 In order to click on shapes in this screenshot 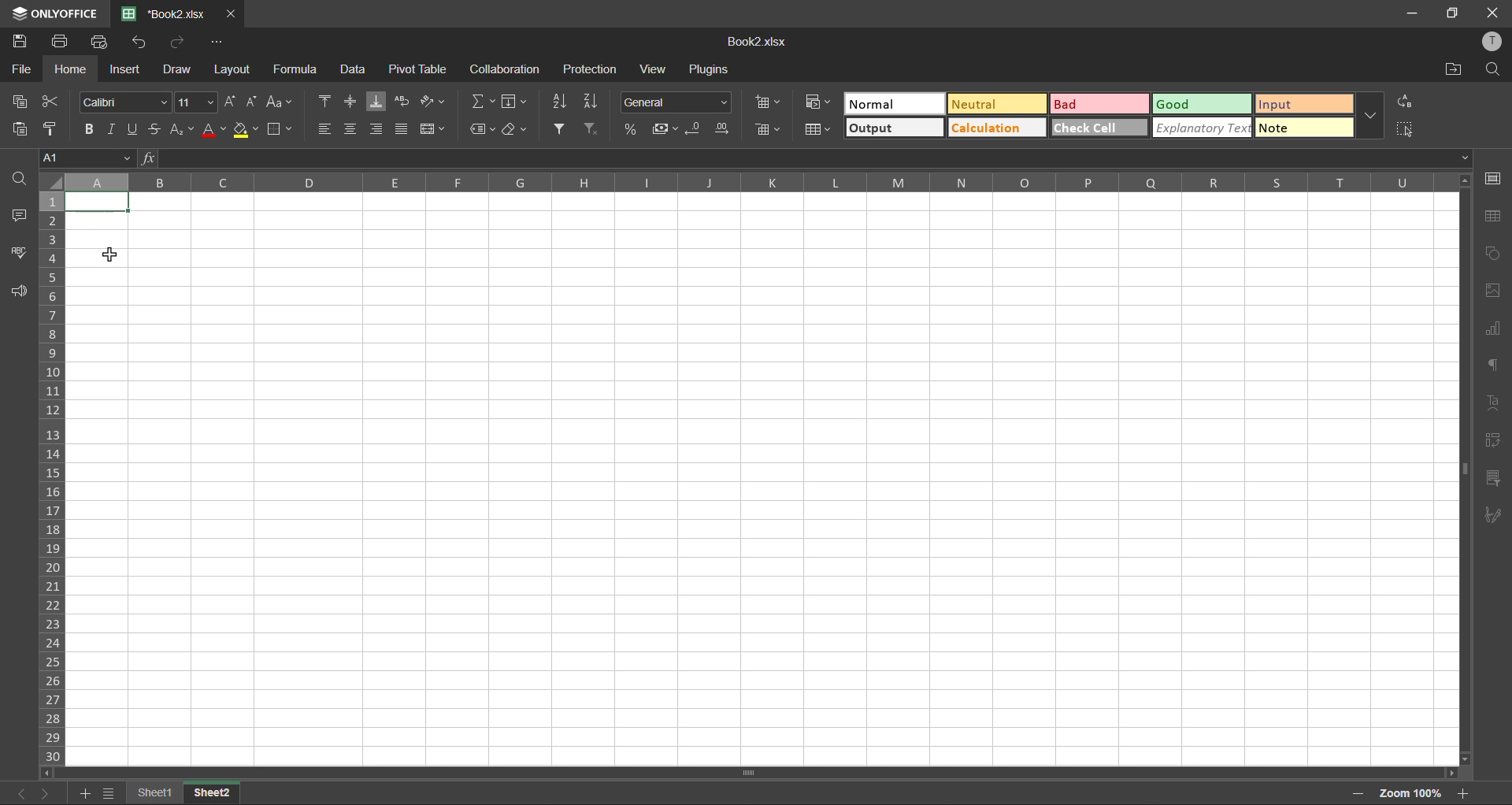, I will do `click(1494, 254)`.